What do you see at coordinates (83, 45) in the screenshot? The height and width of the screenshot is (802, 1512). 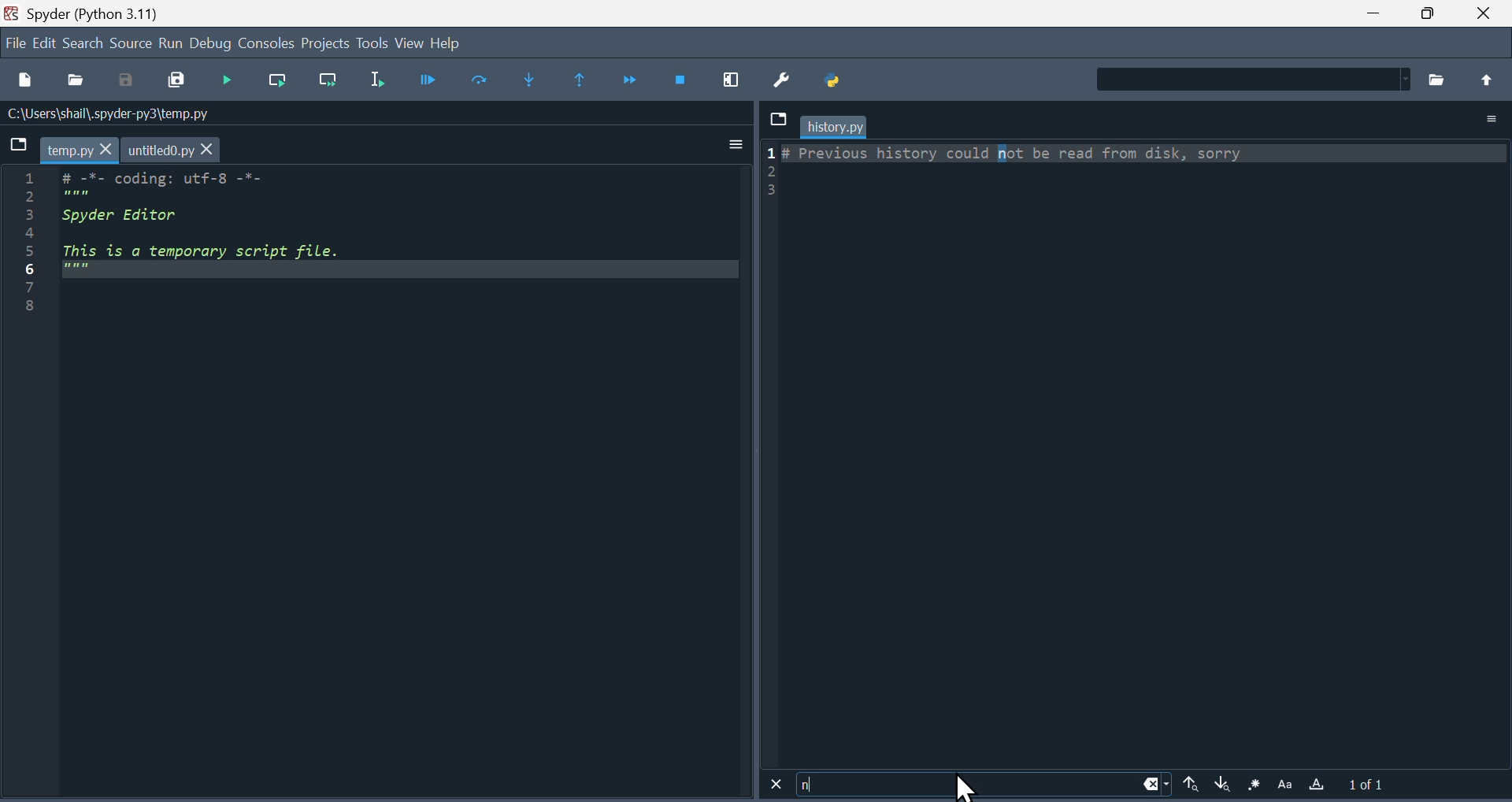 I see `Search` at bounding box center [83, 45].